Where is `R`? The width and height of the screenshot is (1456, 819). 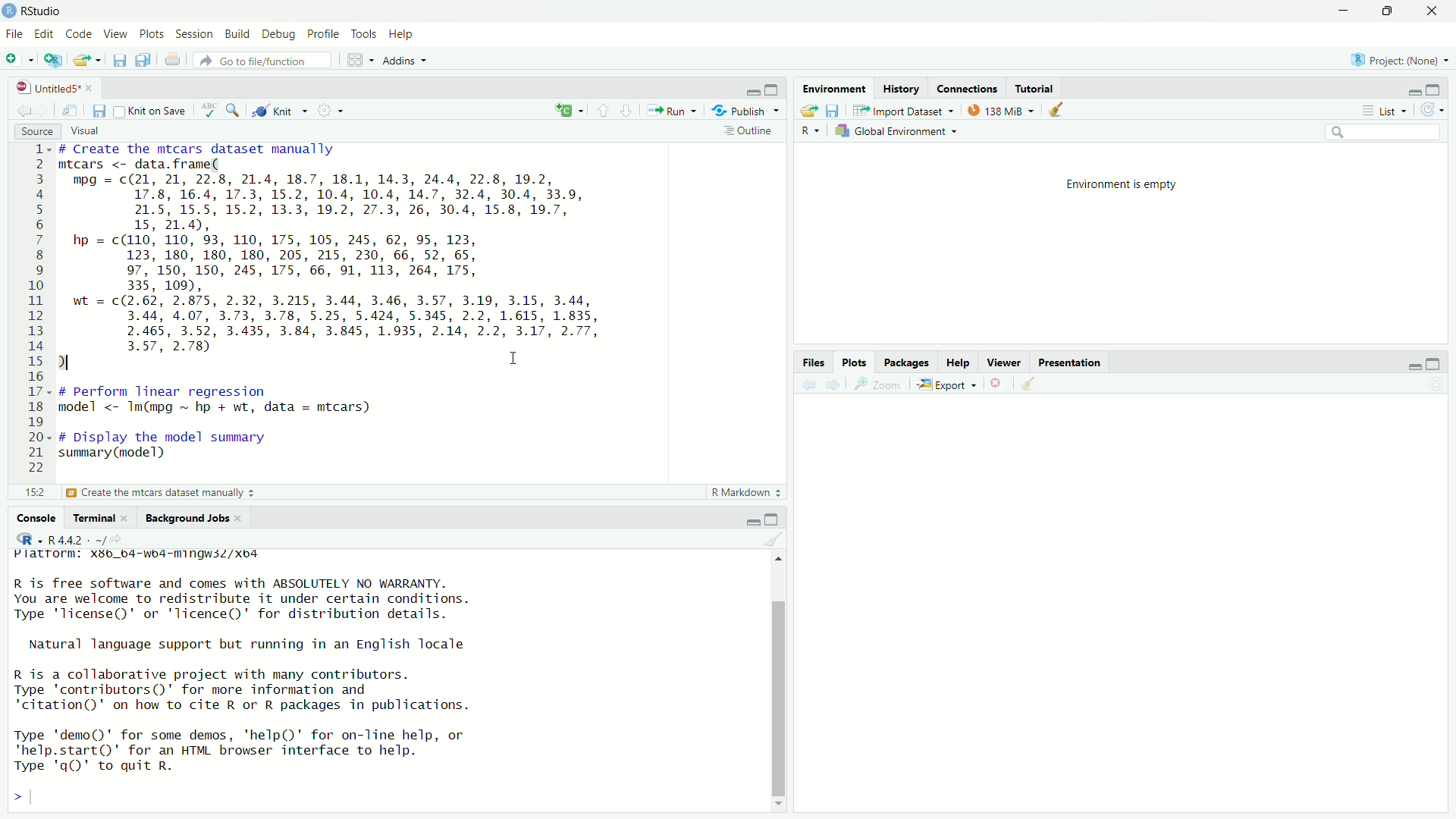 R is located at coordinates (811, 133).